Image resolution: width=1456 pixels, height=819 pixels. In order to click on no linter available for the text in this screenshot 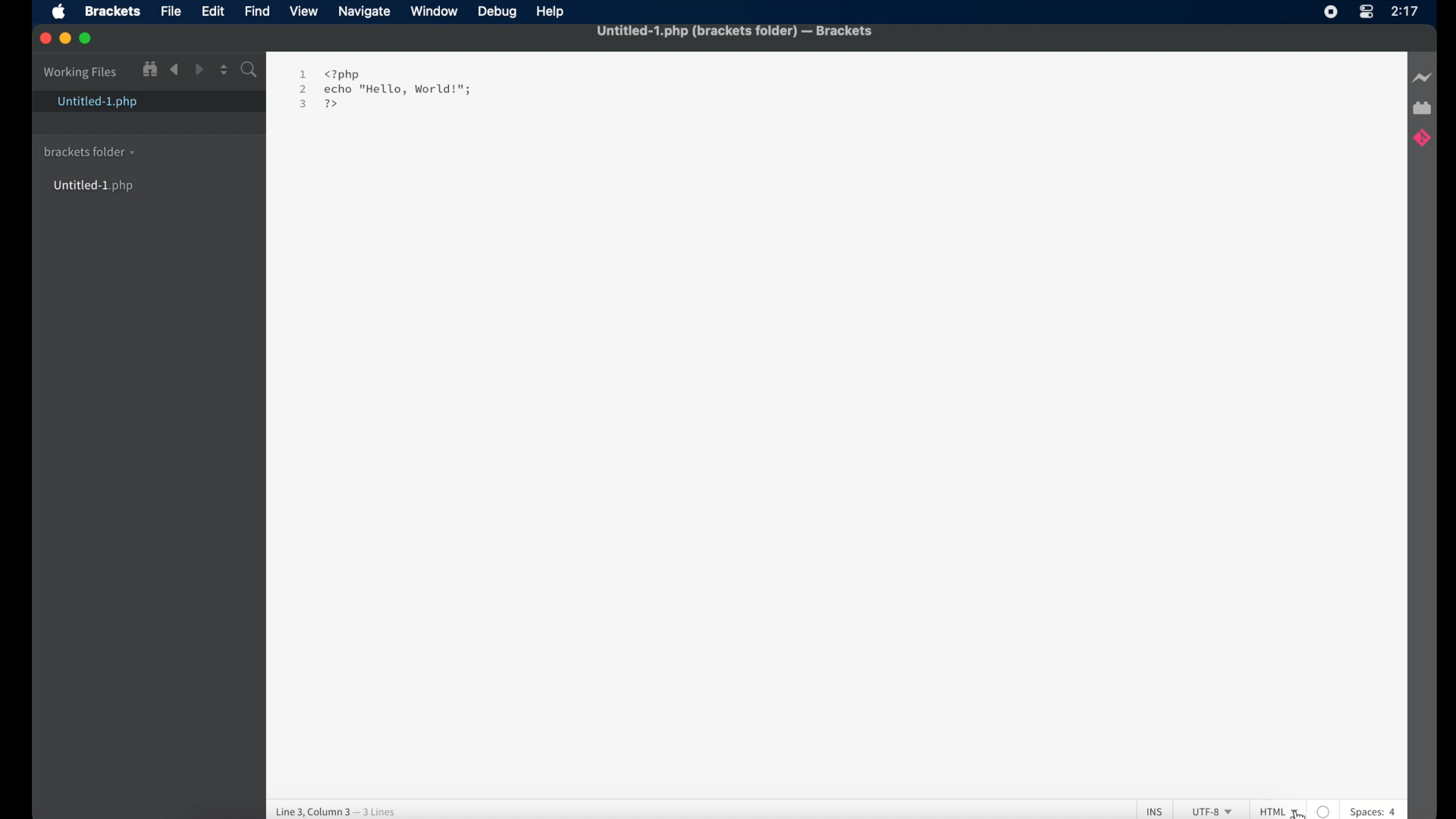, I will do `click(1325, 810)`.